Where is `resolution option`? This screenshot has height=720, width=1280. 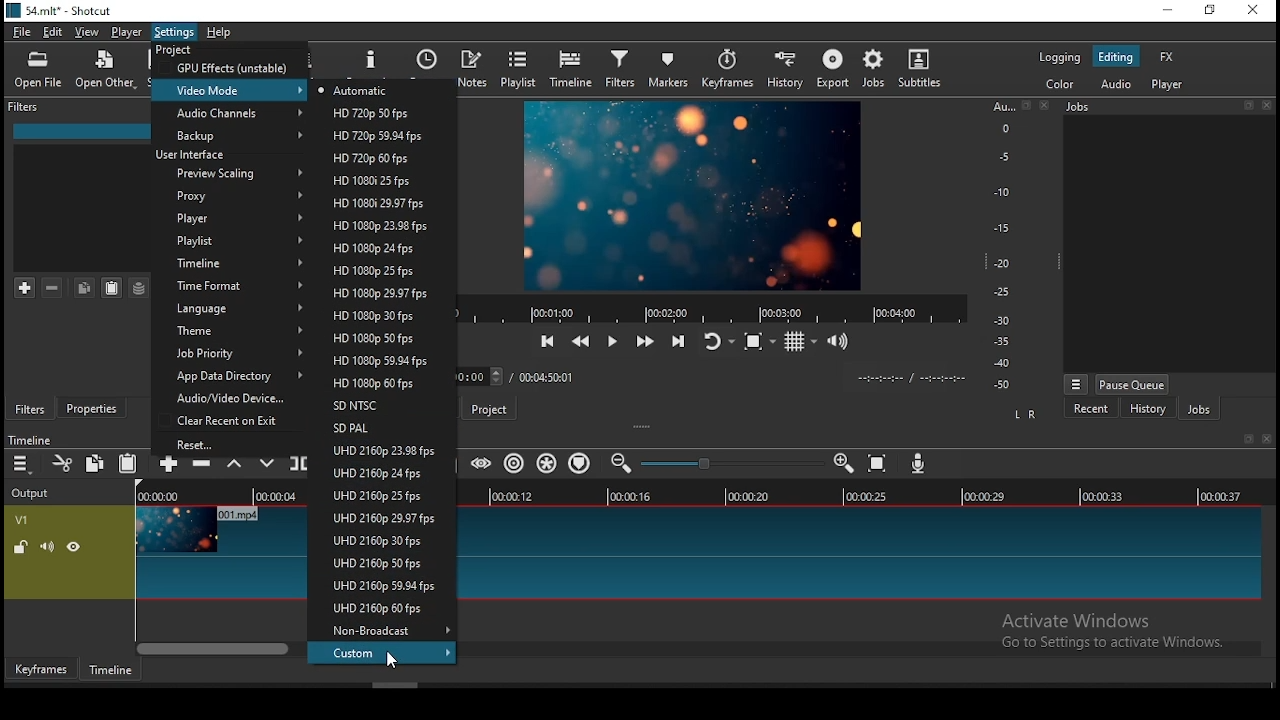 resolution option is located at coordinates (383, 588).